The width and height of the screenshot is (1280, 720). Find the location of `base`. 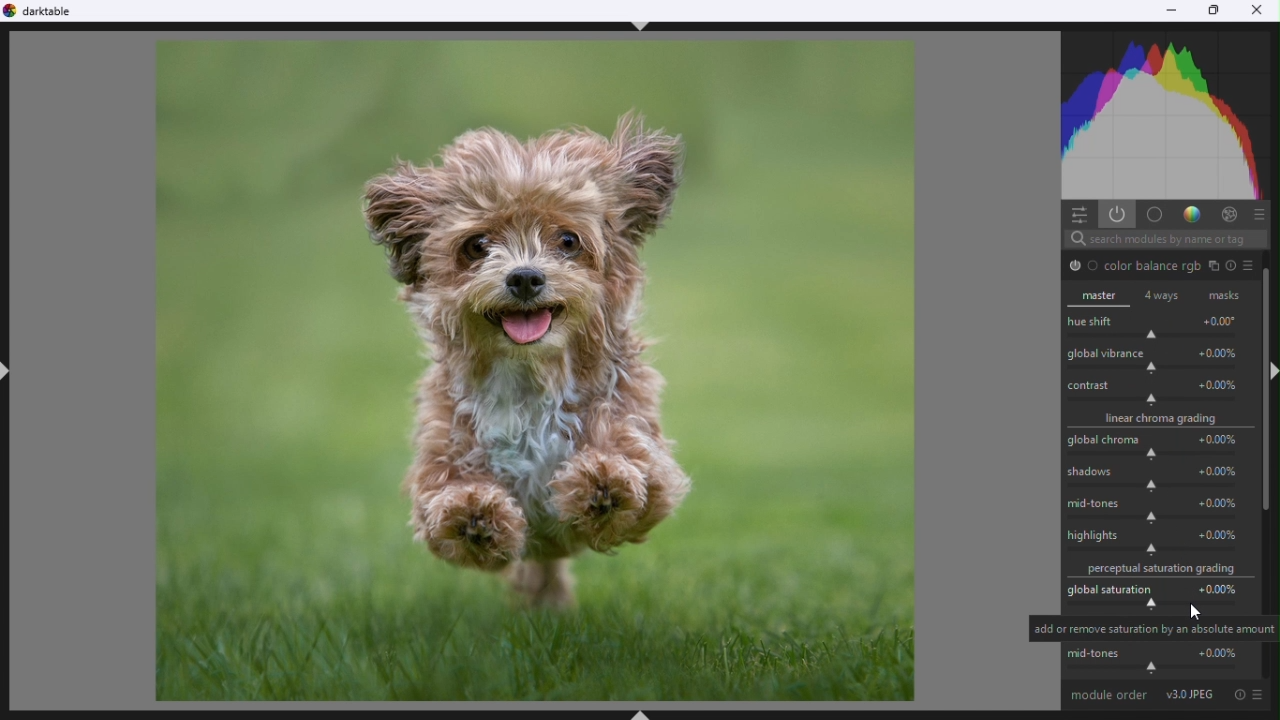

base is located at coordinates (1155, 215).